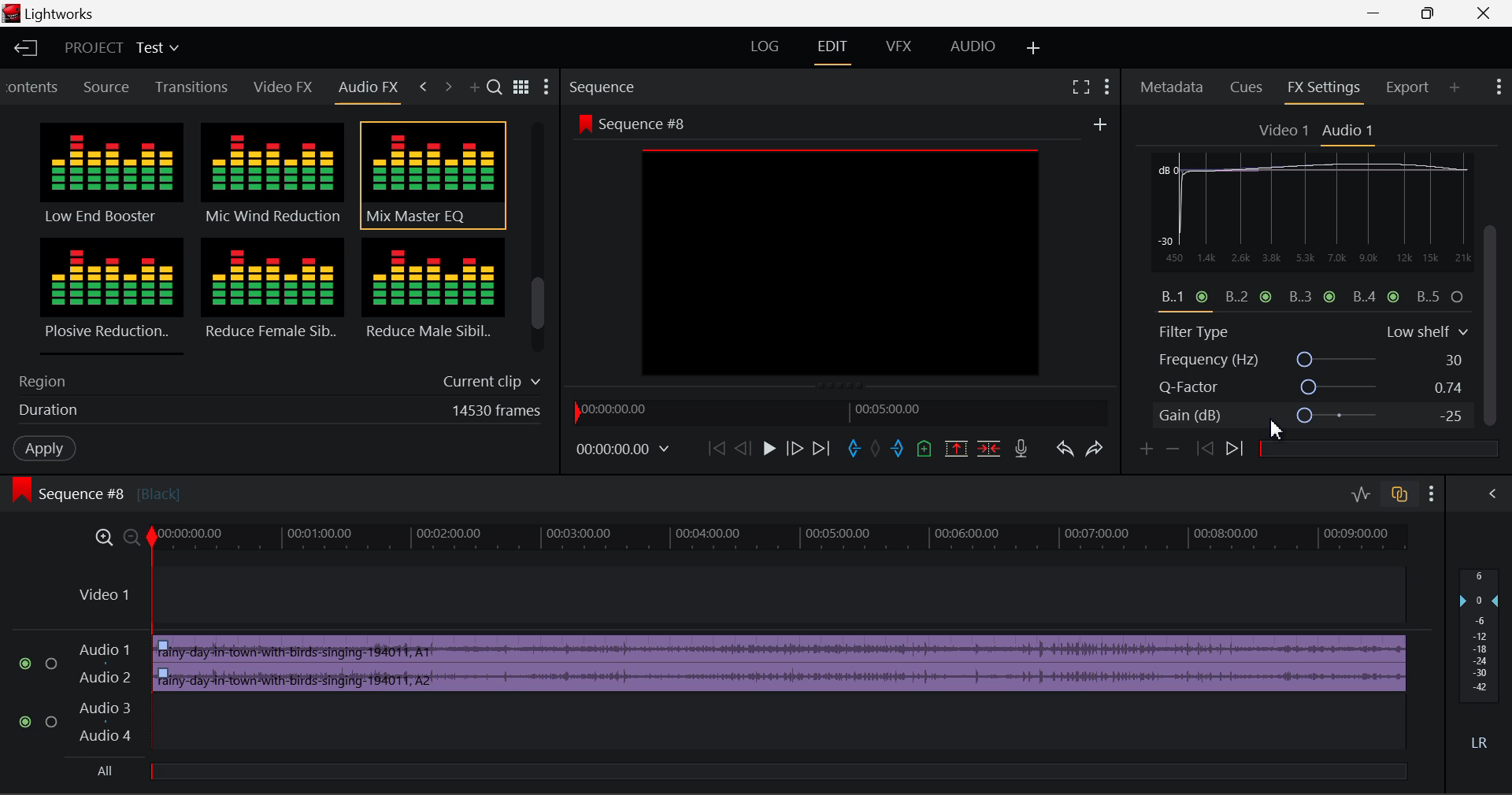 This screenshot has height=795, width=1512. Describe the element at coordinates (132, 539) in the screenshot. I see `Timeline Zoom Out` at that location.